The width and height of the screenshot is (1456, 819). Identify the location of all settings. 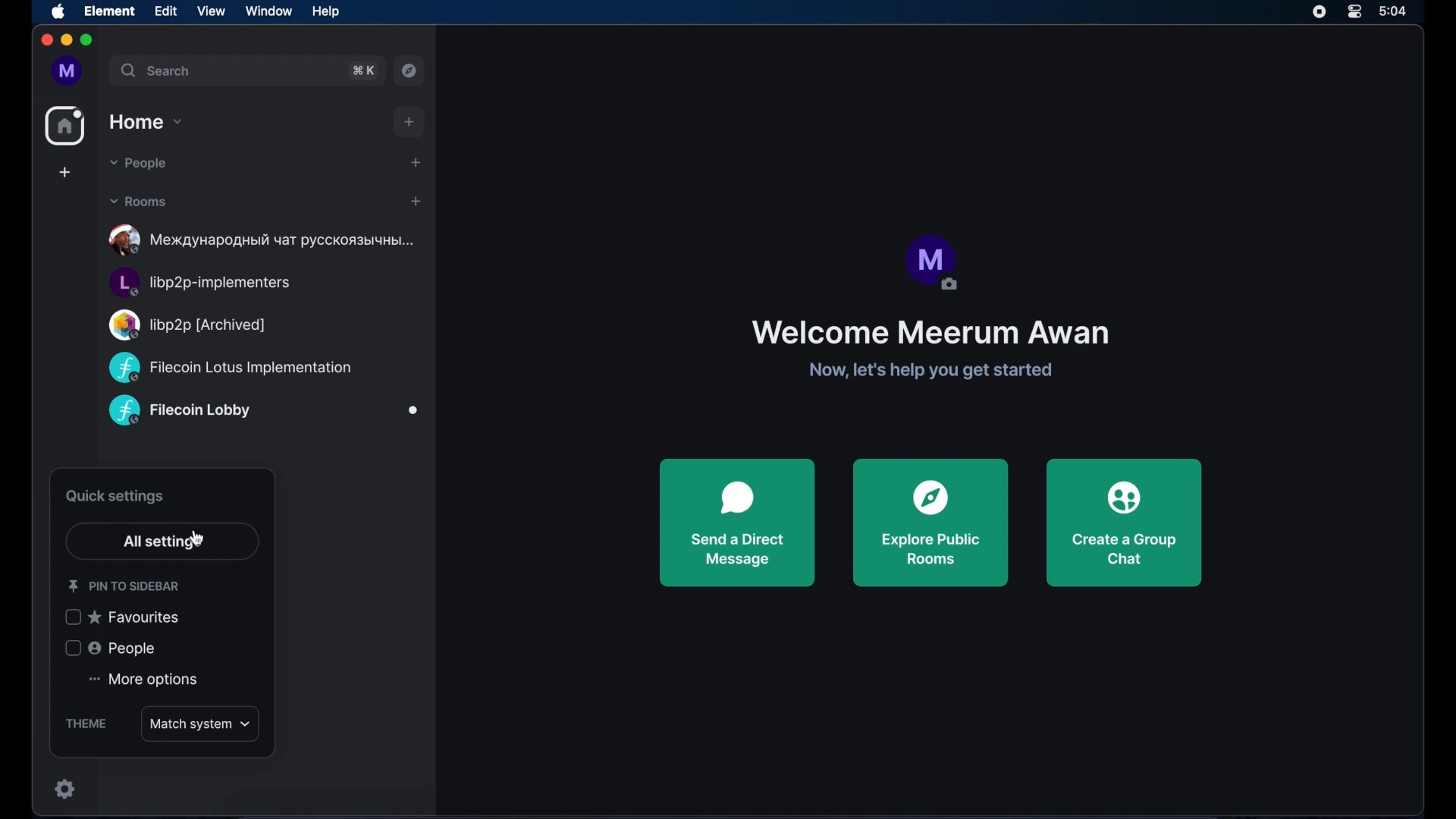
(163, 543).